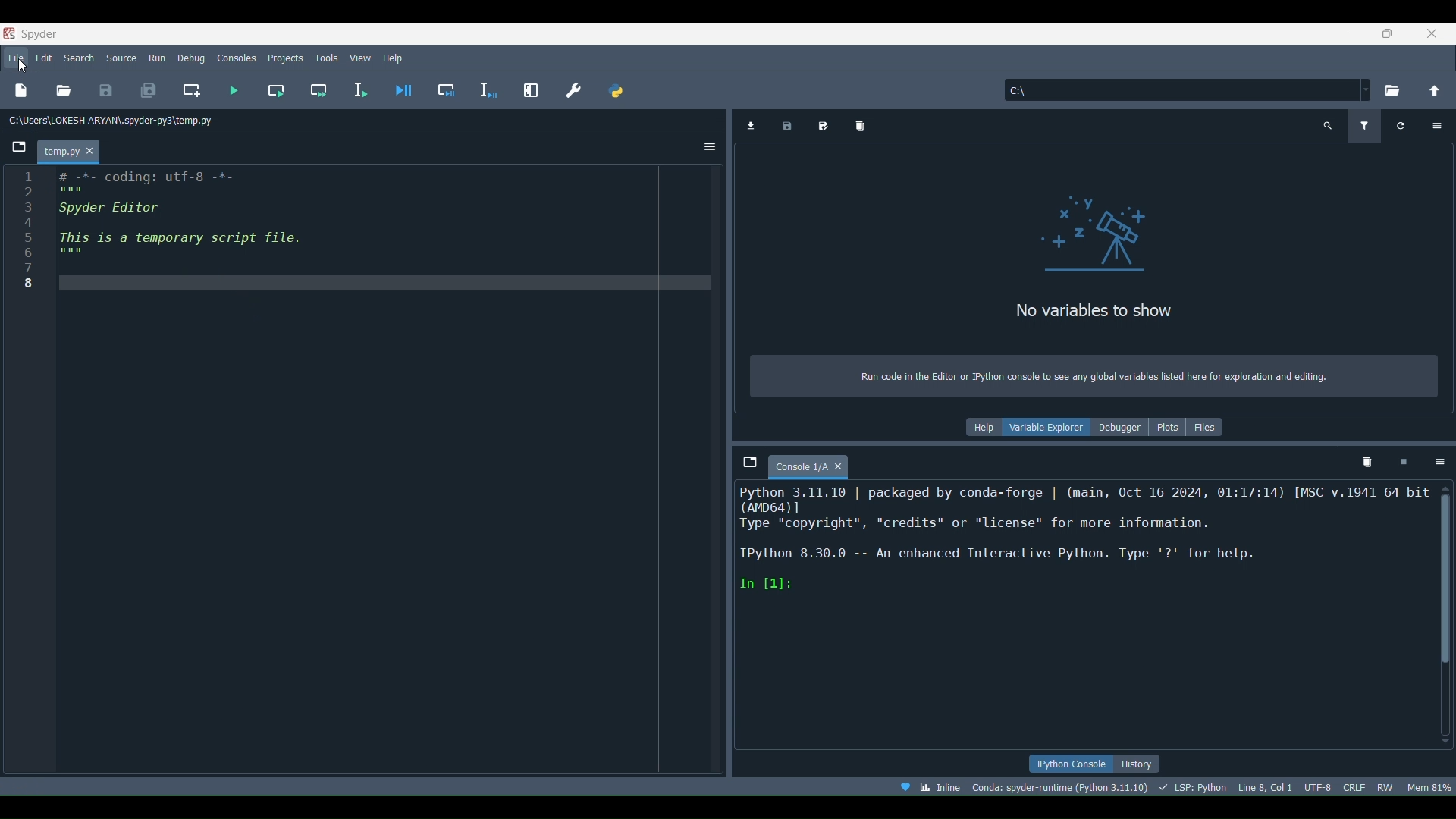 The image size is (1456, 819). What do you see at coordinates (237, 57) in the screenshot?
I see `Consoles` at bounding box center [237, 57].